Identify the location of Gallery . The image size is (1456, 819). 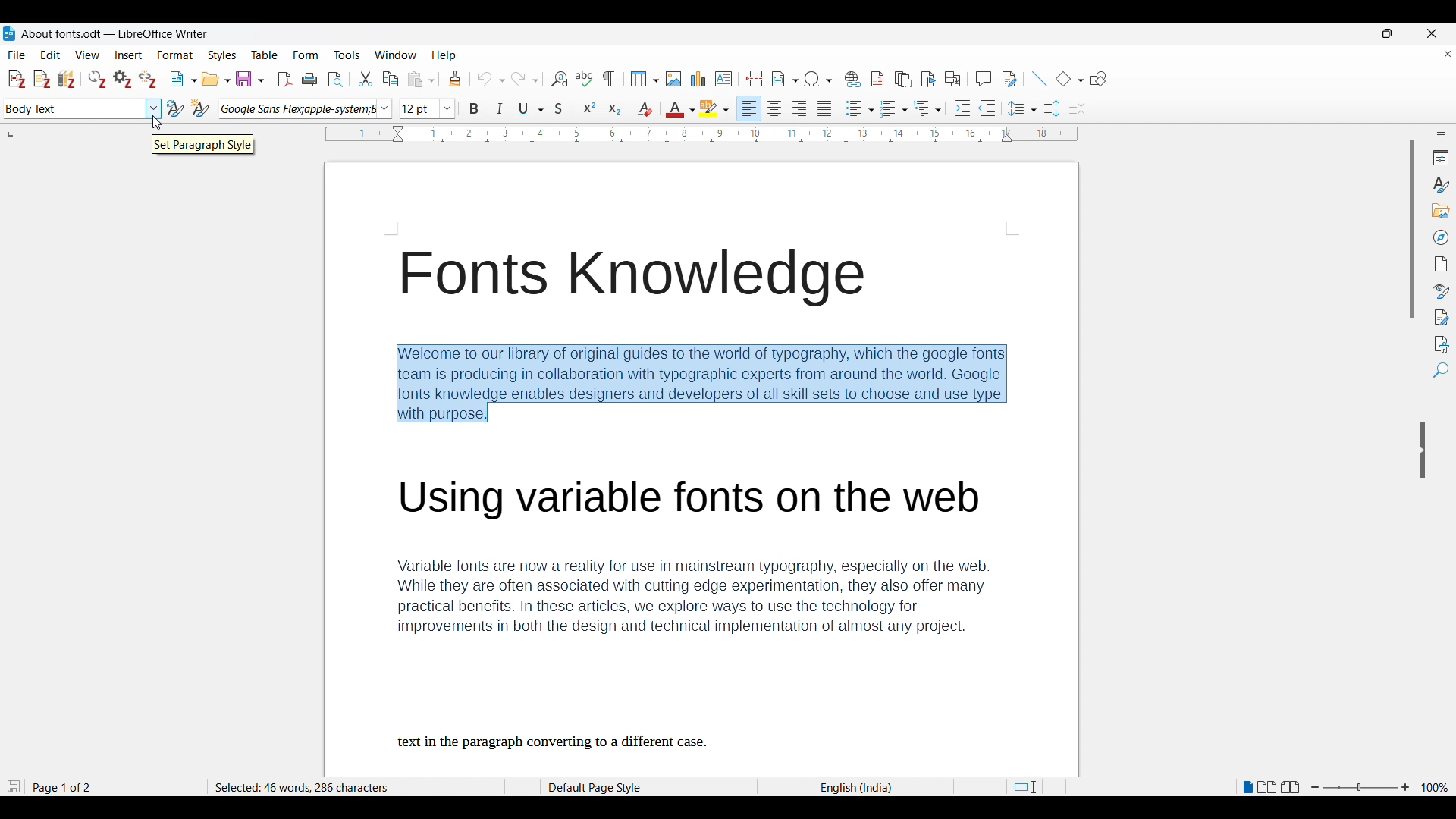
(1442, 211).